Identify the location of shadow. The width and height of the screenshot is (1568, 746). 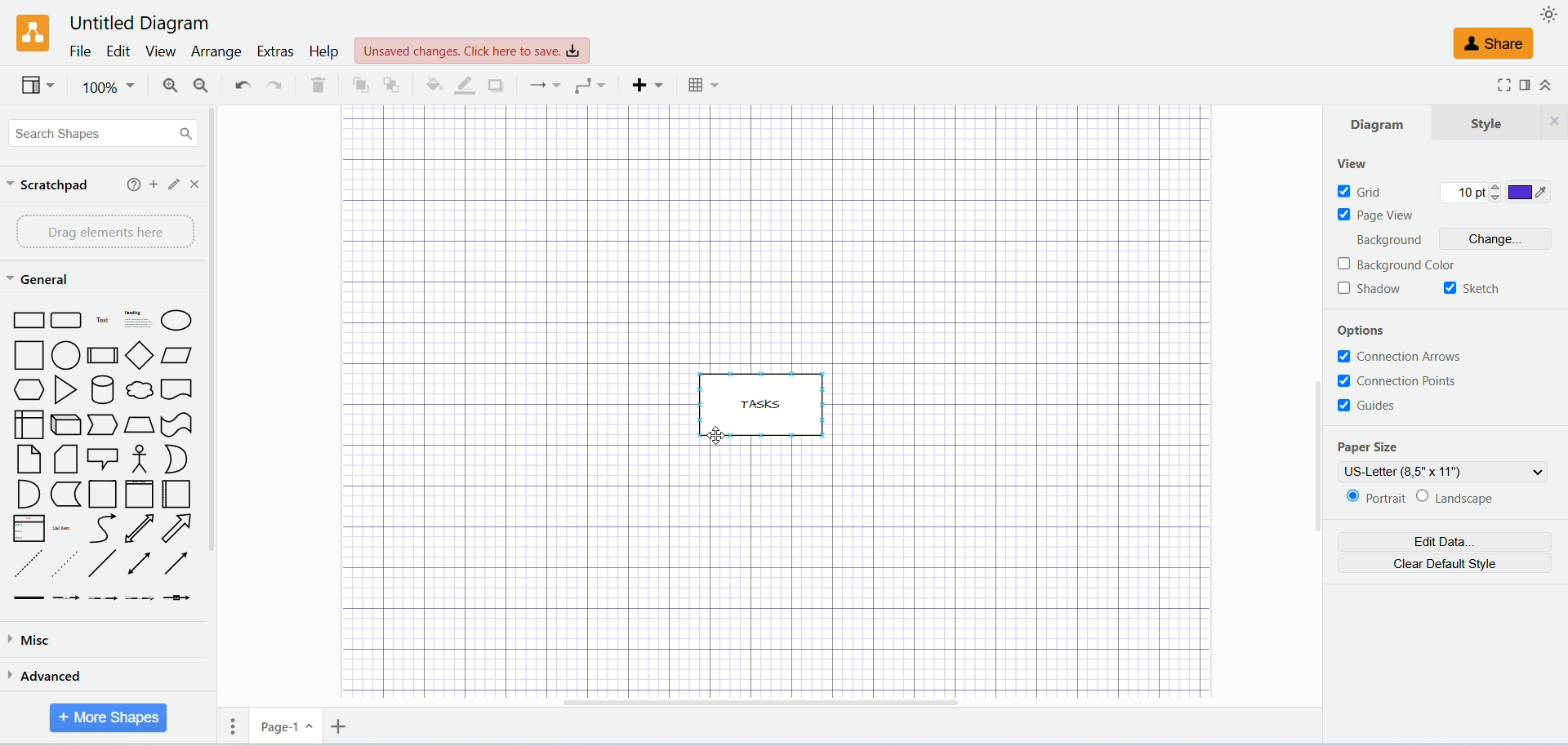
(494, 85).